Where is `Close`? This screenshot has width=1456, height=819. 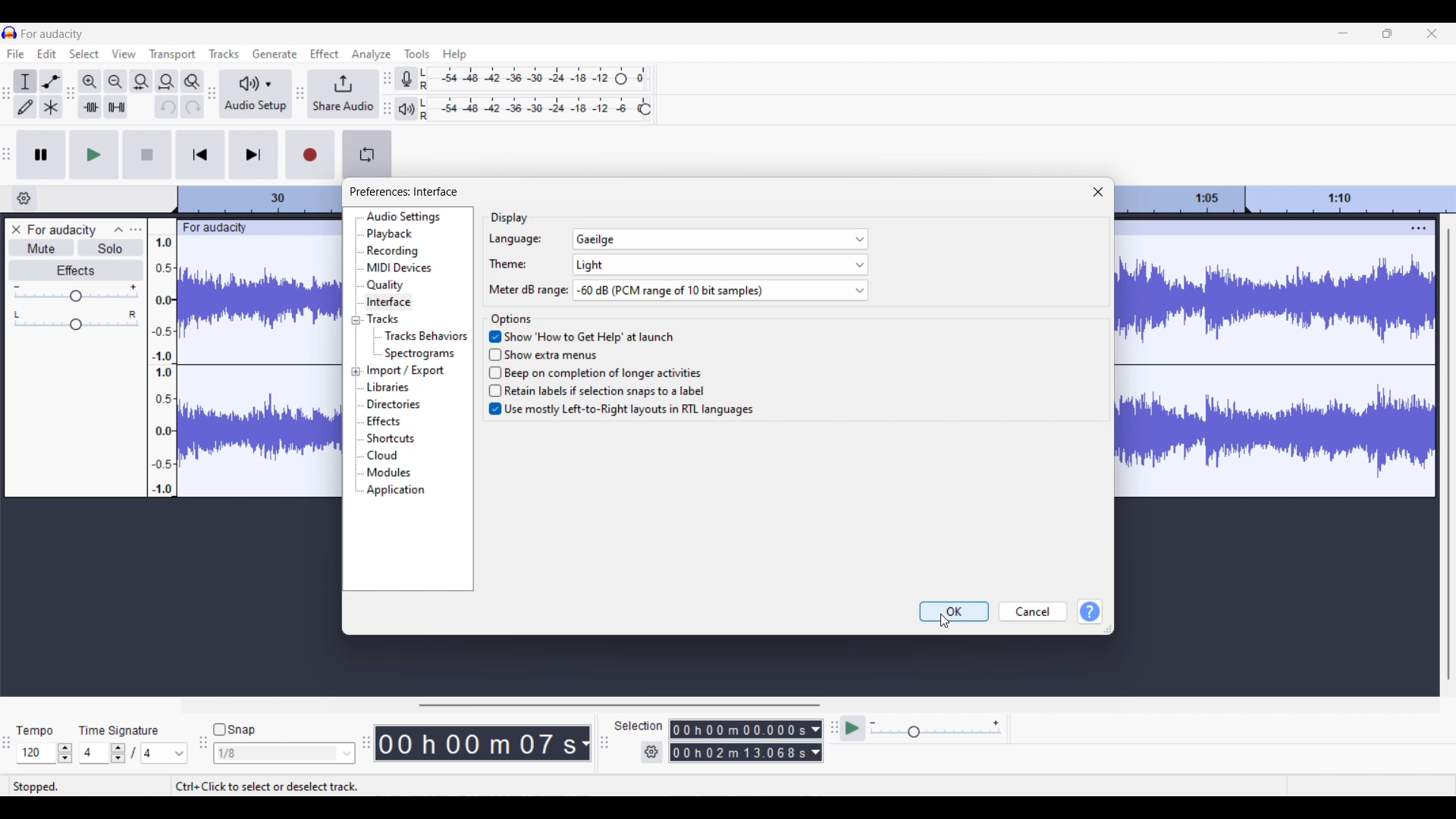
Close is located at coordinates (1099, 192).